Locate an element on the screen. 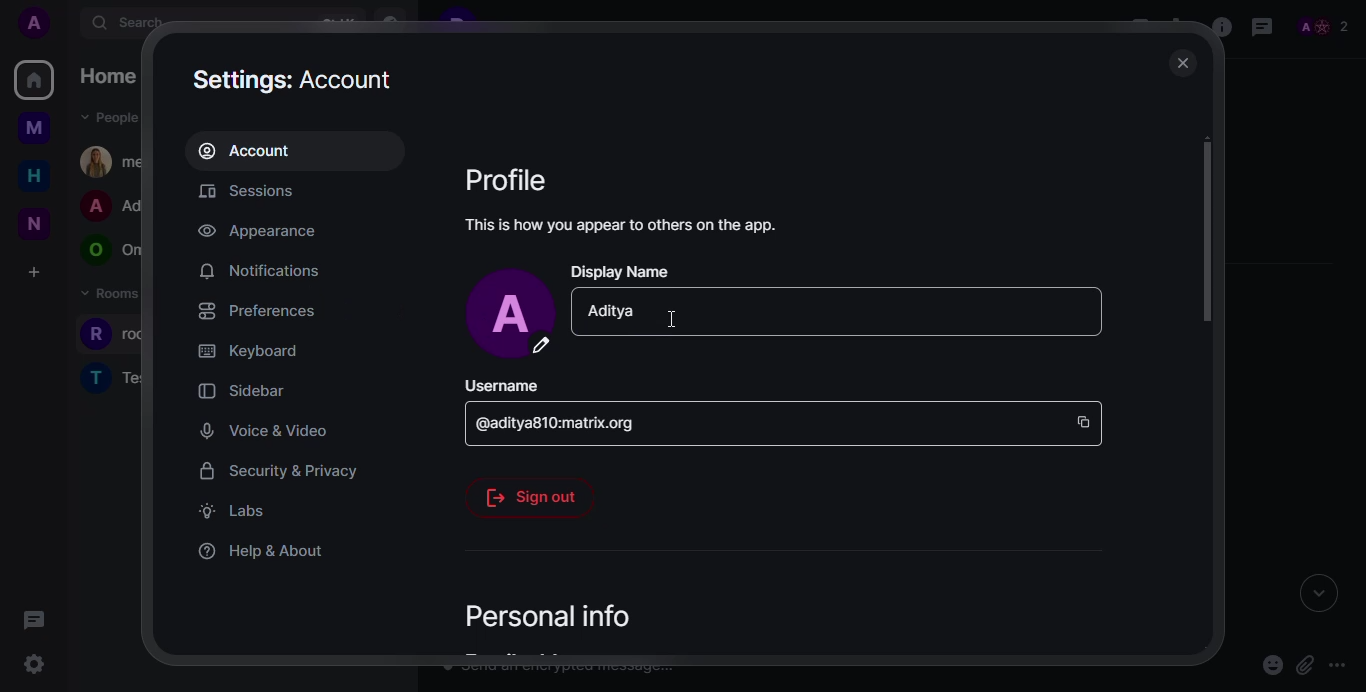 The image size is (1366, 692). threads is located at coordinates (33, 619).